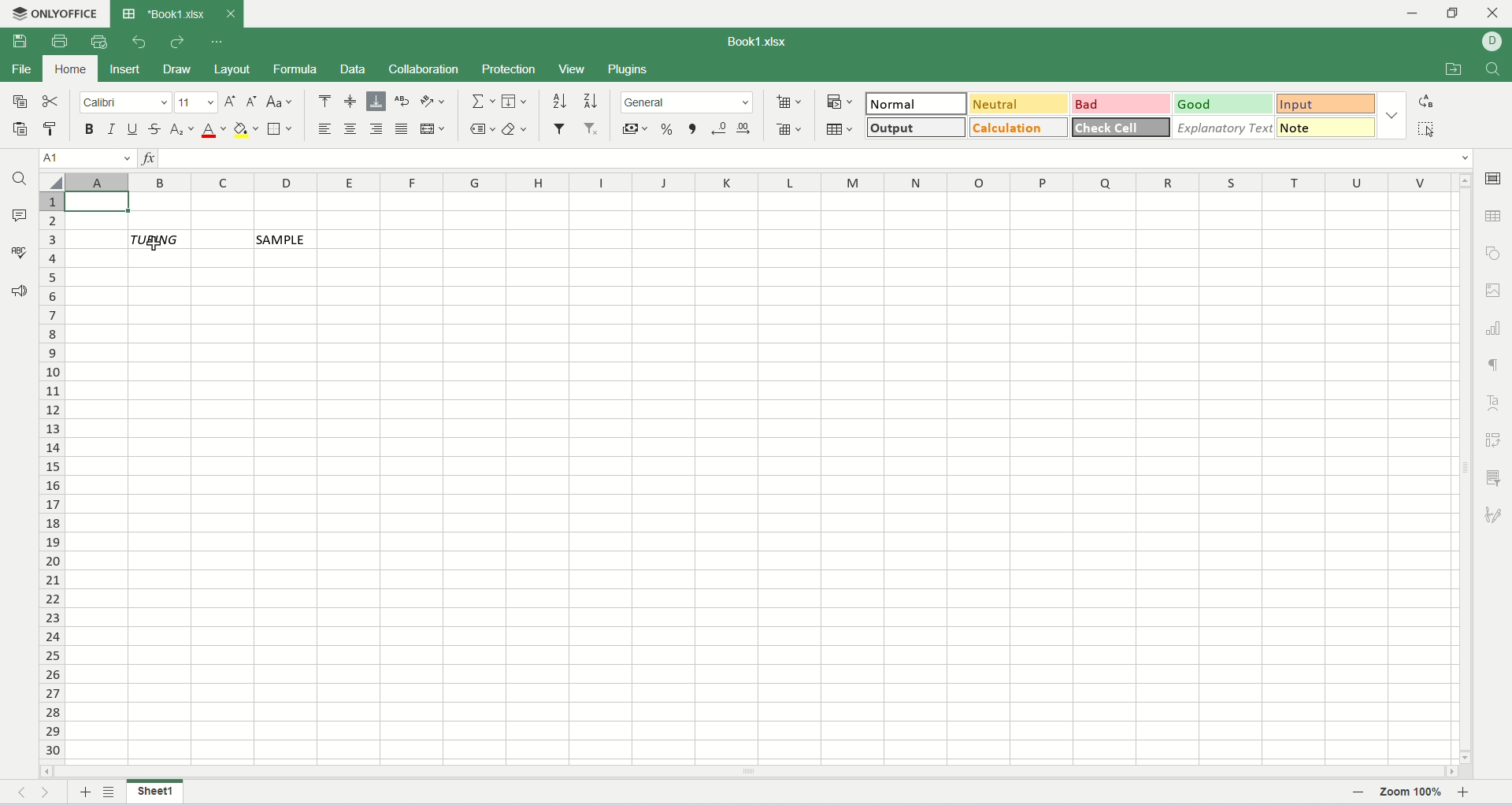 This screenshot has width=1512, height=805. I want to click on signature settings, so click(1493, 516).